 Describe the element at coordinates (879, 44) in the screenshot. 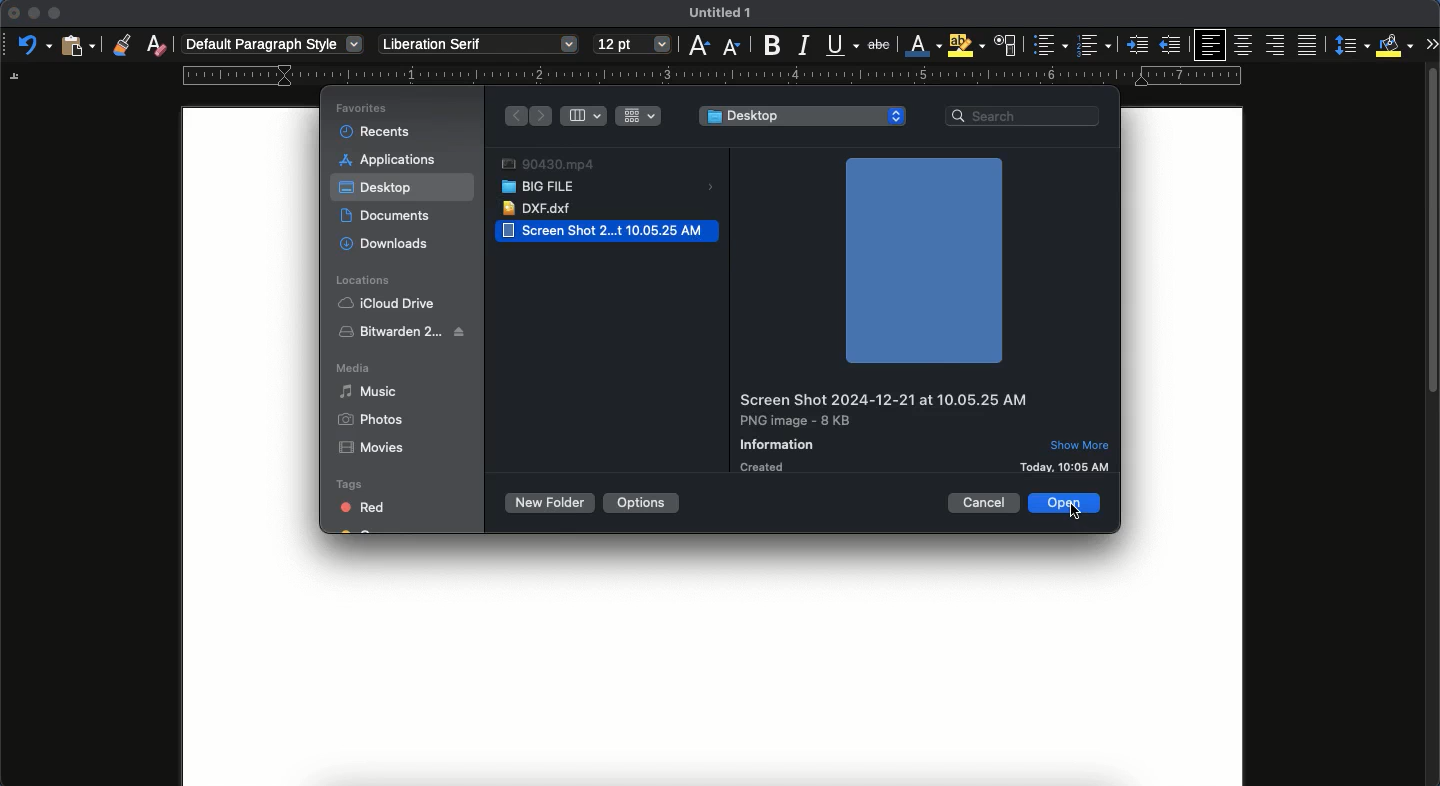

I see `strikethrough` at that location.